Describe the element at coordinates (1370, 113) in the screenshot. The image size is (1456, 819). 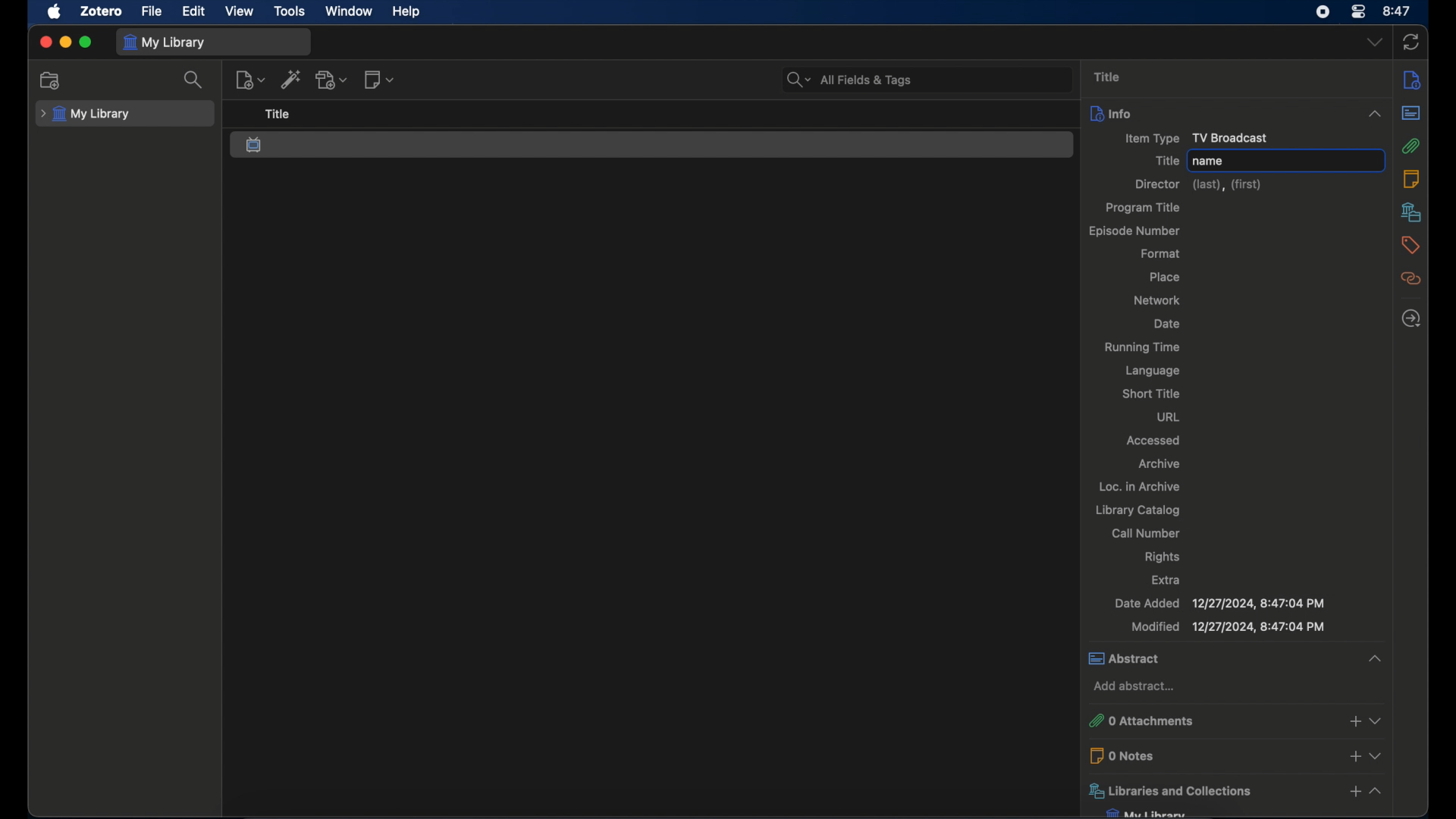
I see `collapse` at that location.